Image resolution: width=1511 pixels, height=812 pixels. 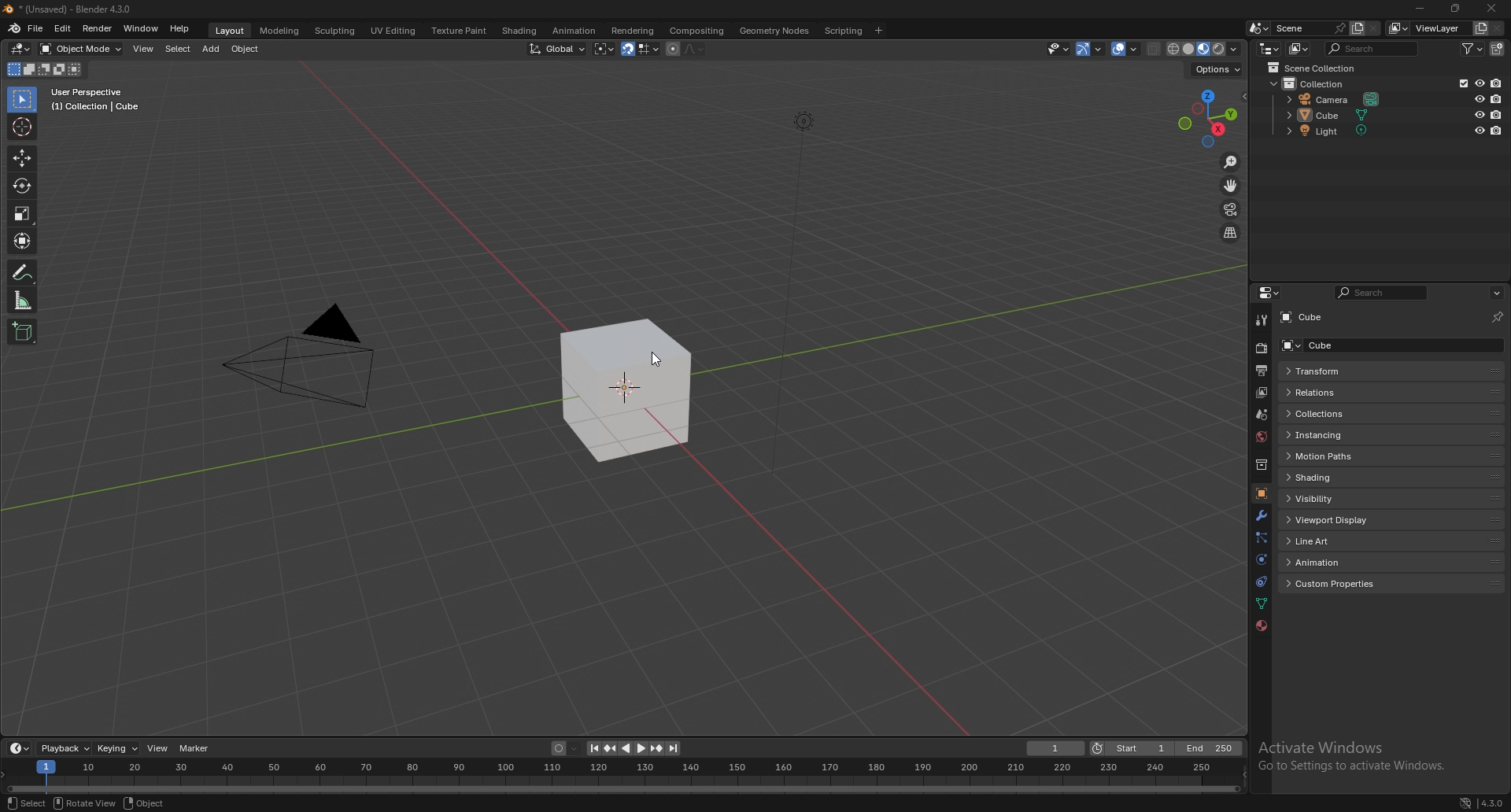 I want to click on annotate, so click(x=23, y=272).